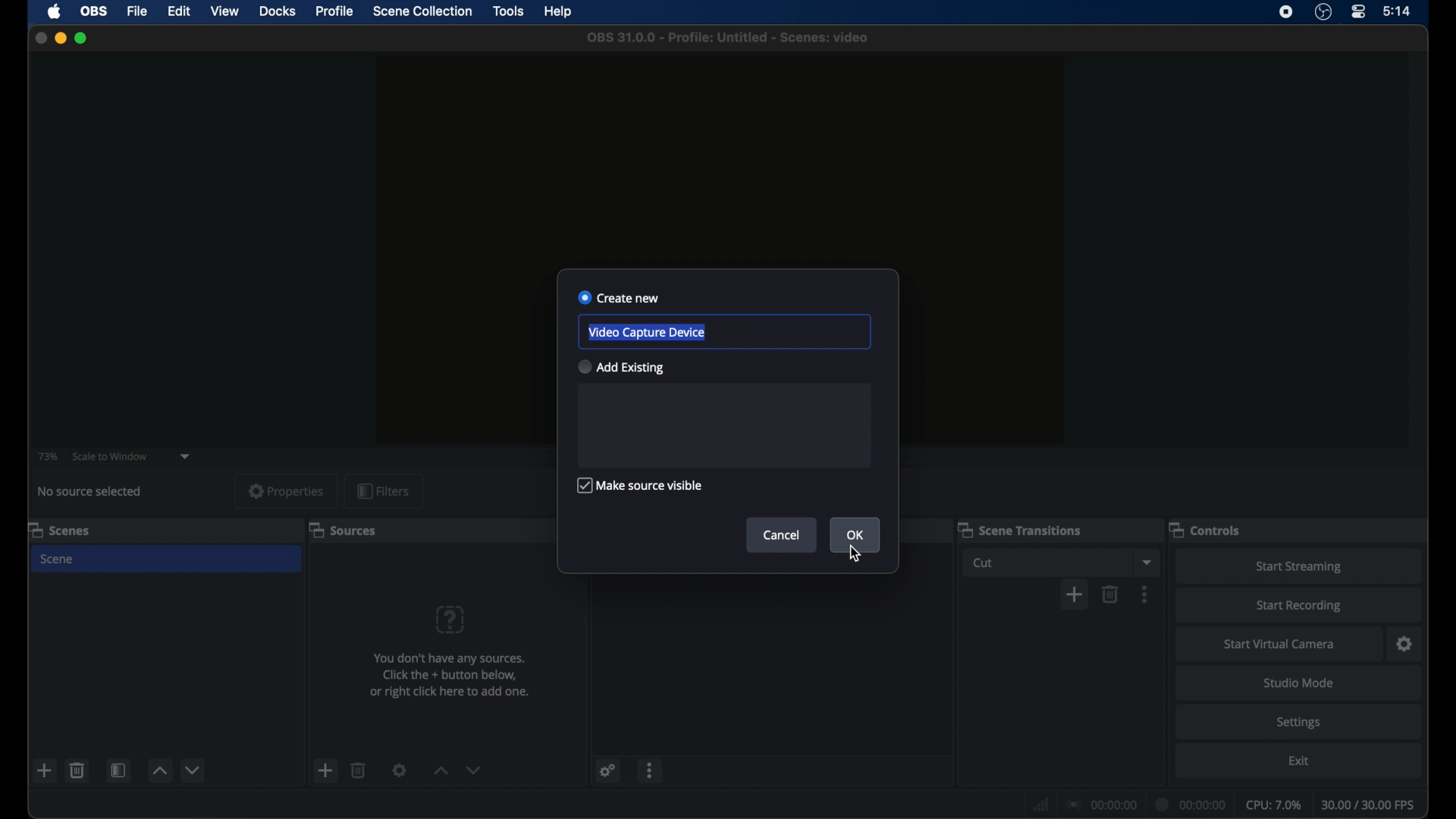 This screenshot has height=819, width=1456. I want to click on preview, so click(718, 149).